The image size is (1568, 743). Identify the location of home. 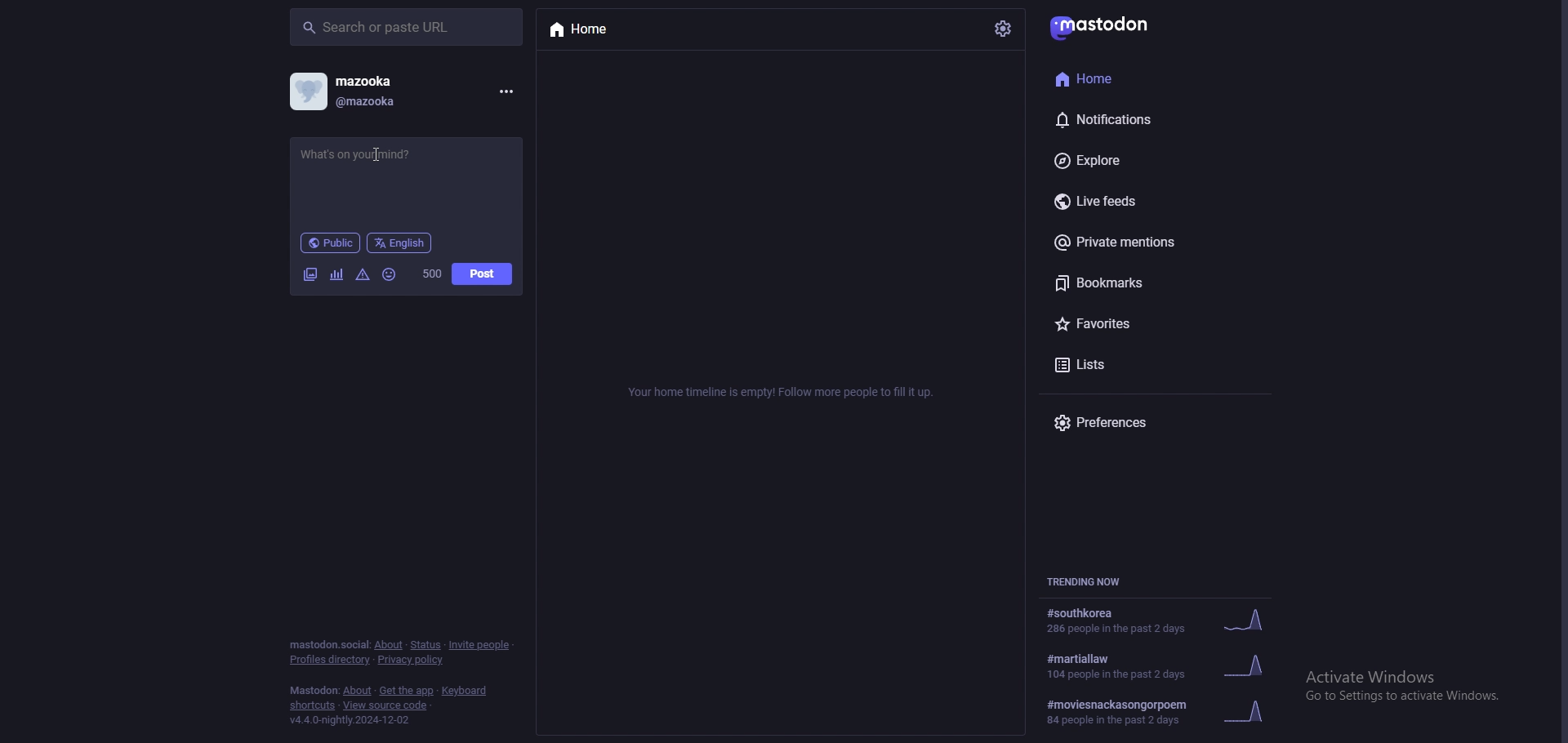
(1125, 77).